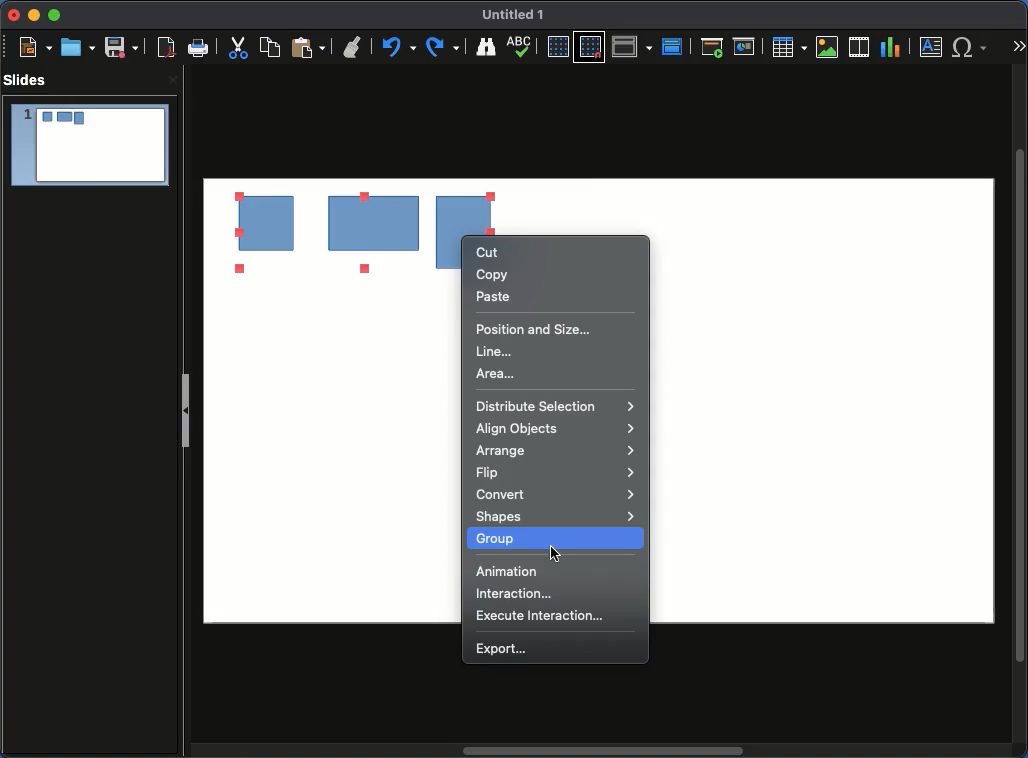 The image size is (1028, 758). What do you see at coordinates (171, 82) in the screenshot?
I see `Close` at bounding box center [171, 82].